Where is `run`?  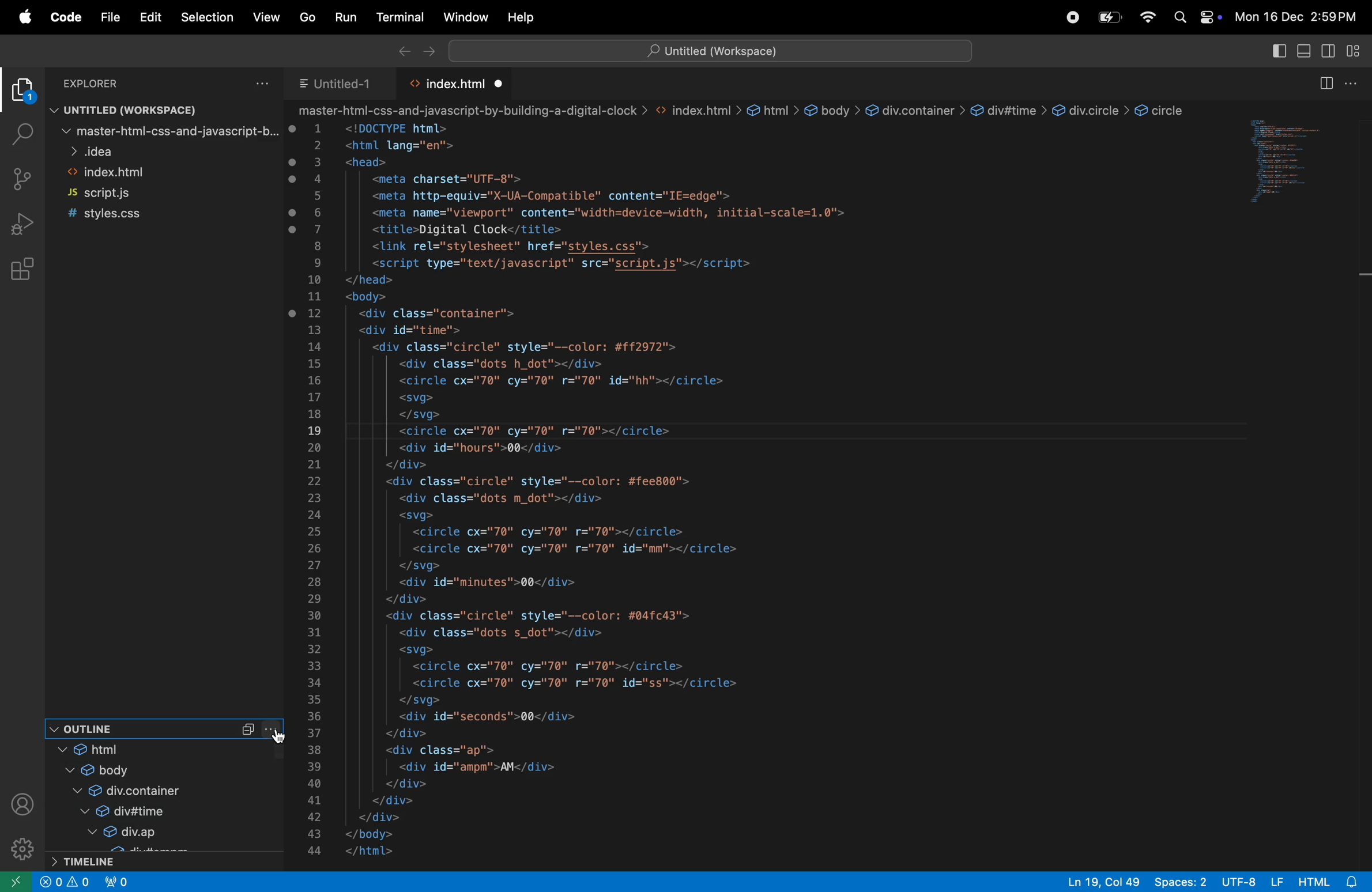
run is located at coordinates (342, 16).